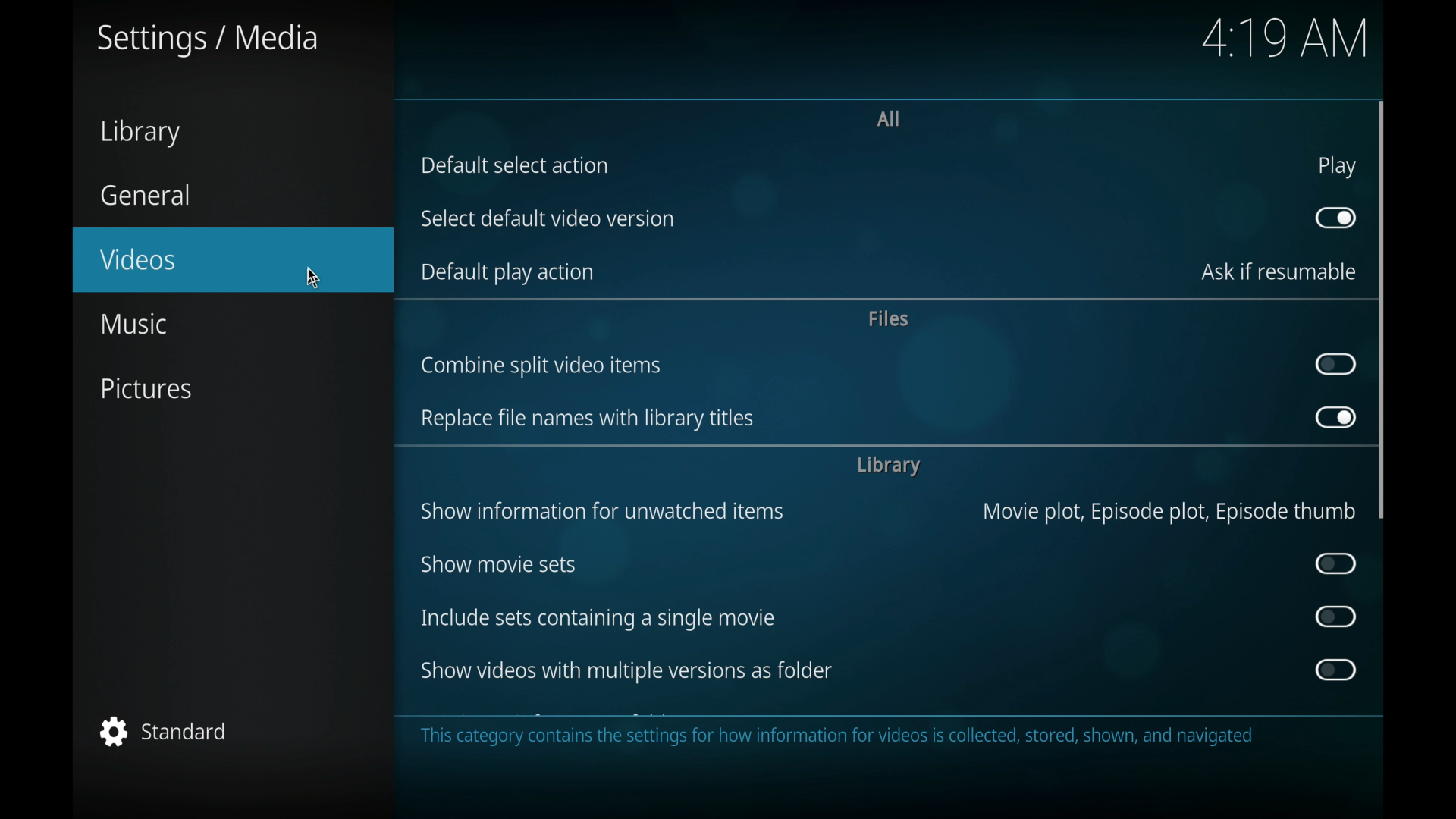 This screenshot has height=819, width=1456. Describe the element at coordinates (165, 730) in the screenshot. I see `standard` at that location.